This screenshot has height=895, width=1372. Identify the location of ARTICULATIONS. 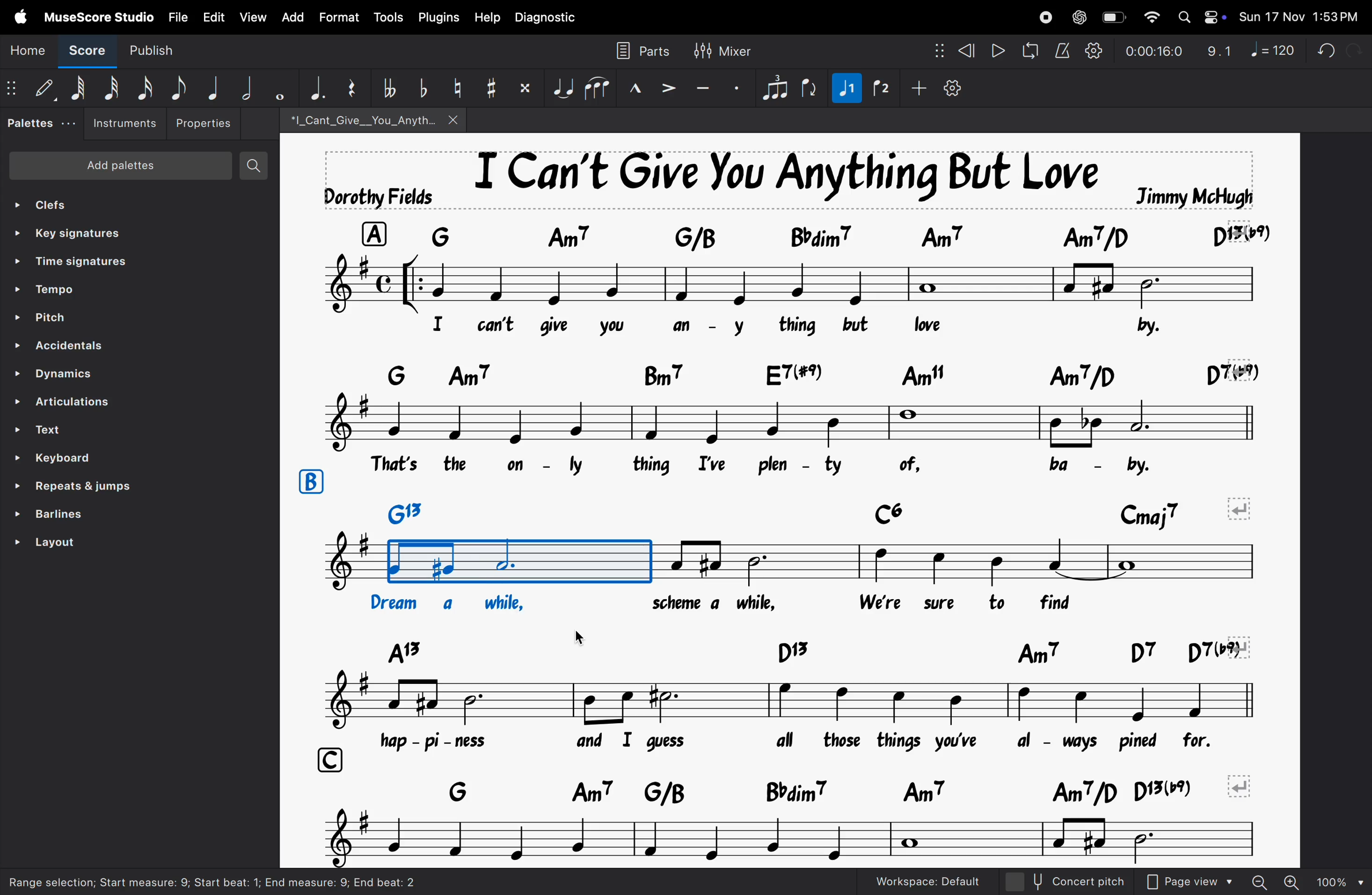
(66, 402).